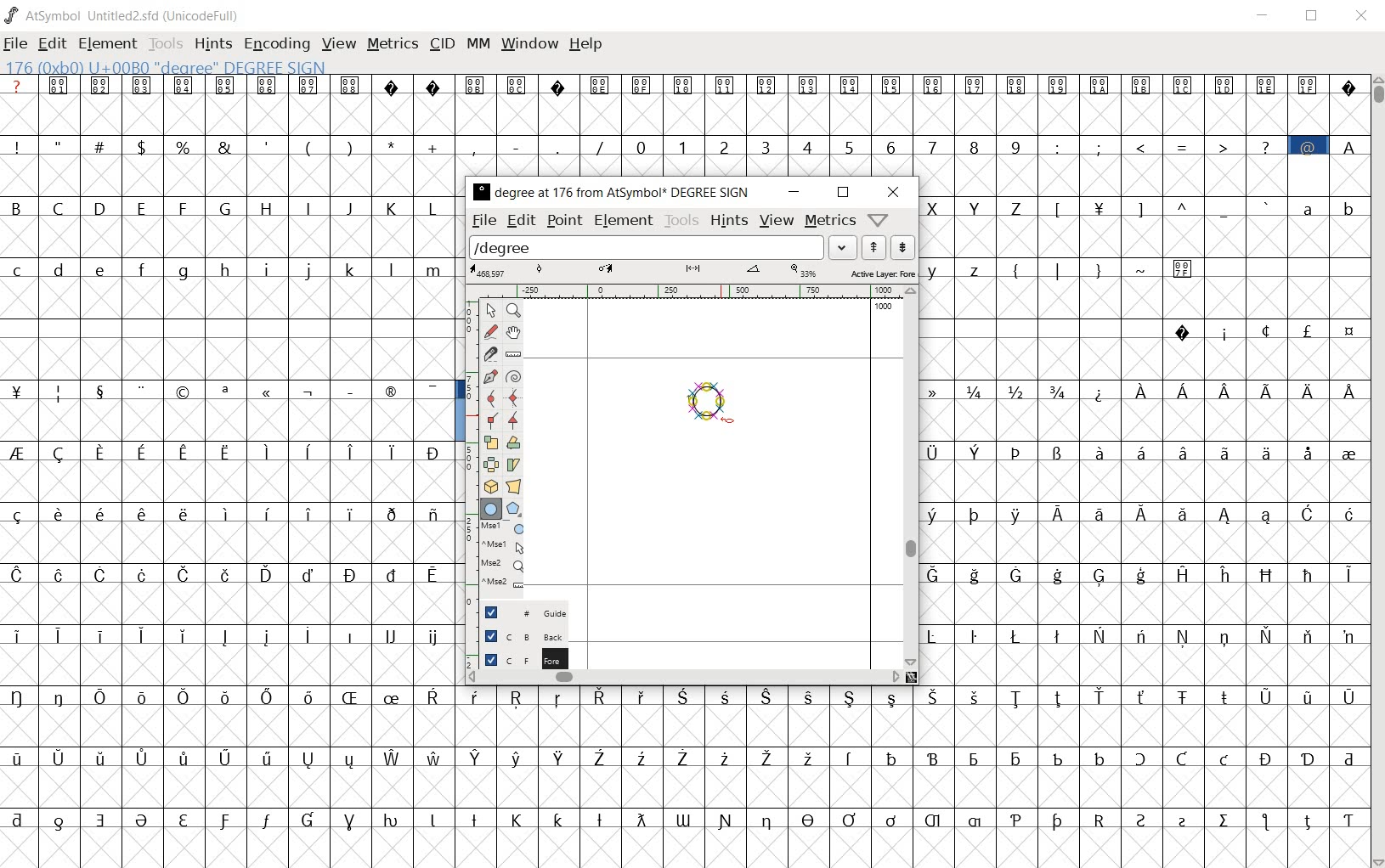 This screenshot has width=1385, height=868. What do you see at coordinates (1263, 330) in the screenshot?
I see `special characters` at bounding box center [1263, 330].